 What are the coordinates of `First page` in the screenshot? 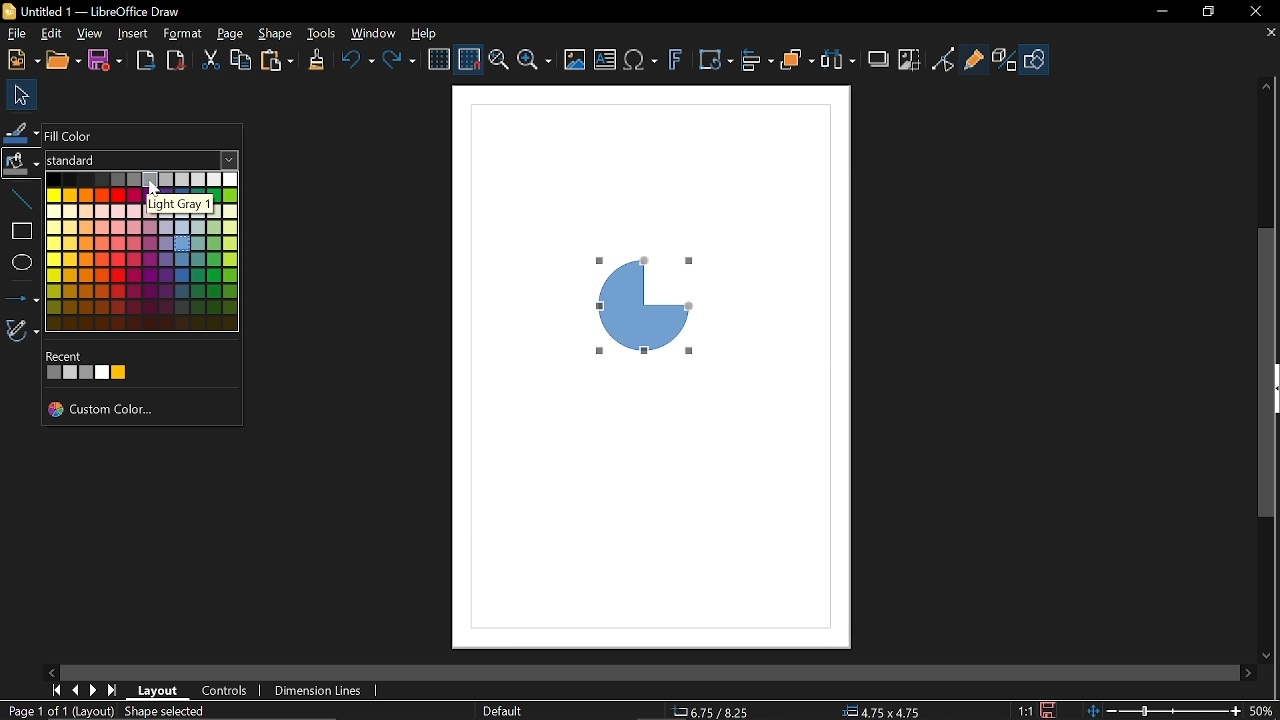 It's located at (58, 690).